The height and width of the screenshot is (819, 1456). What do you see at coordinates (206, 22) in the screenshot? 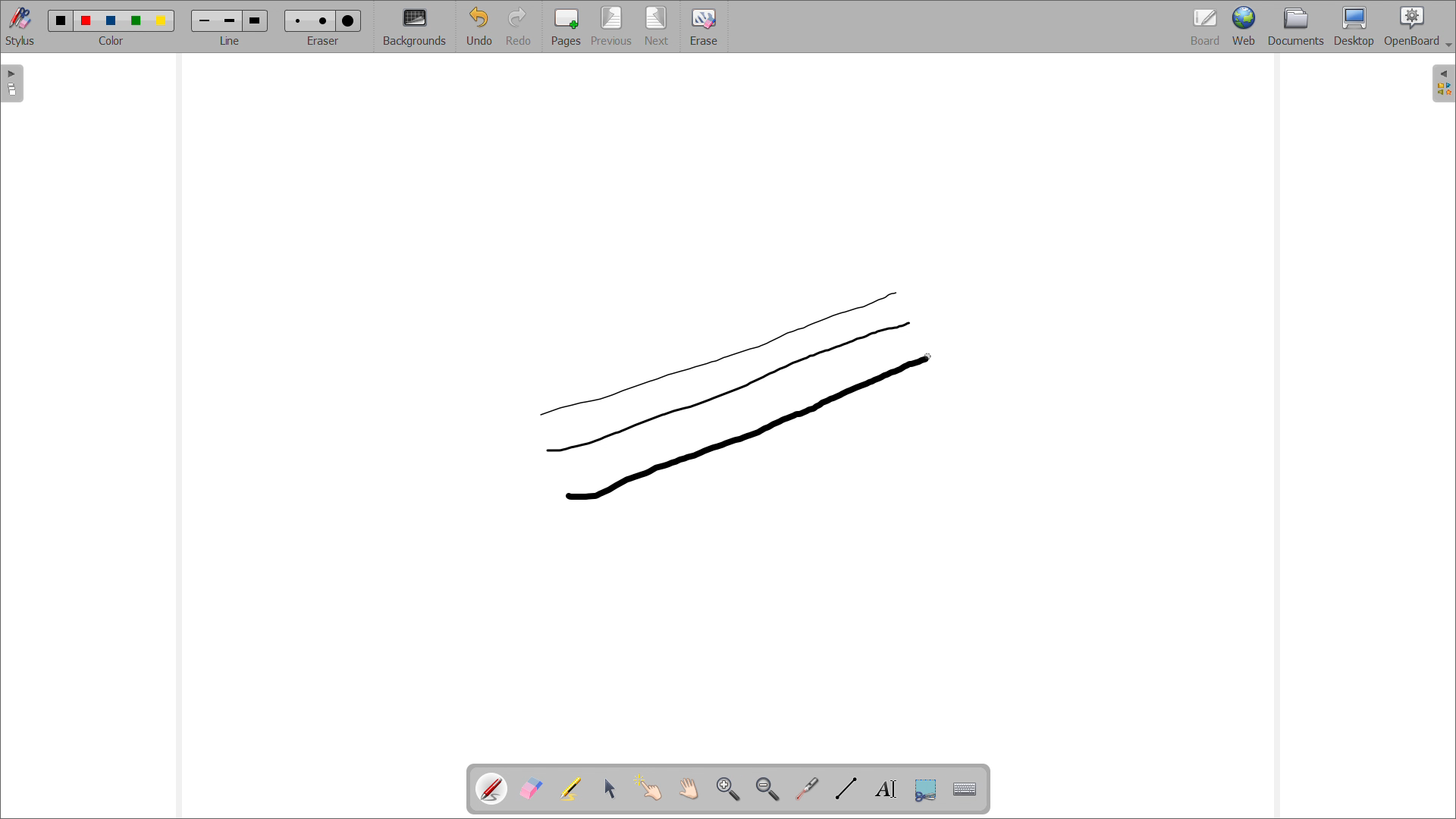
I see `line width size` at bounding box center [206, 22].